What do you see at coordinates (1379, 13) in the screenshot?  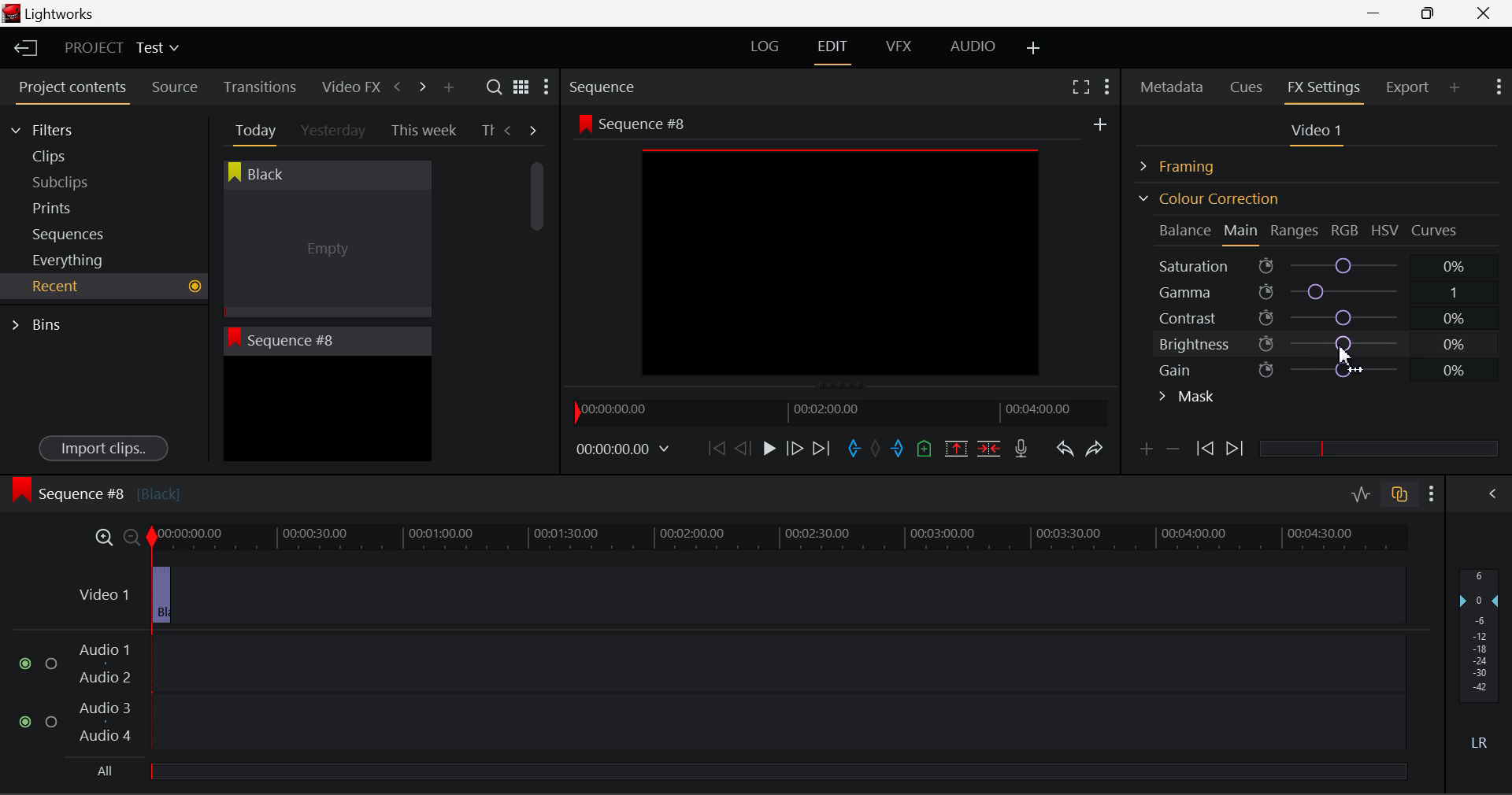 I see `Restore Down` at bounding box center [1379, 13].